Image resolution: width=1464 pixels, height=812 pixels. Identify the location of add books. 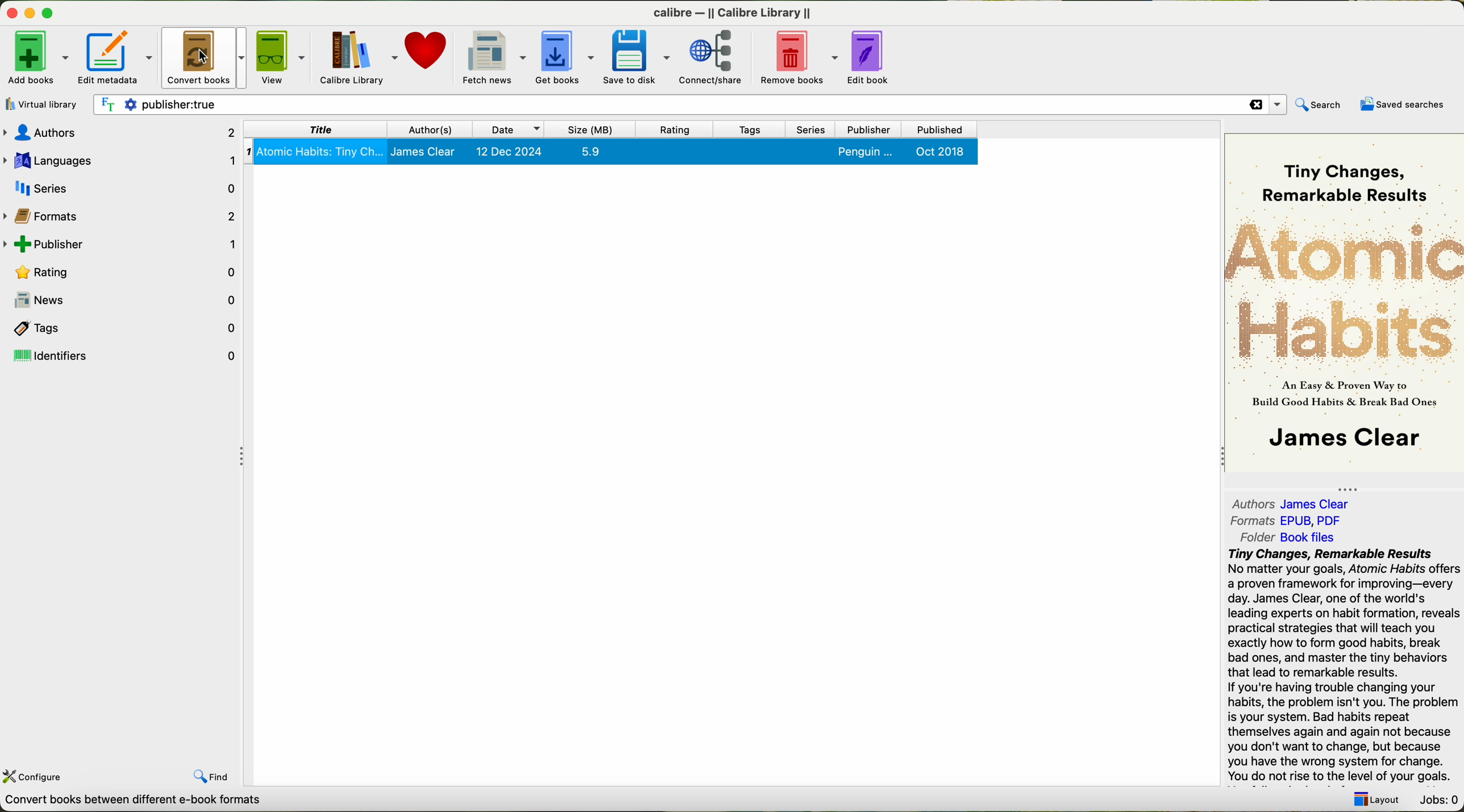
(35, 57).